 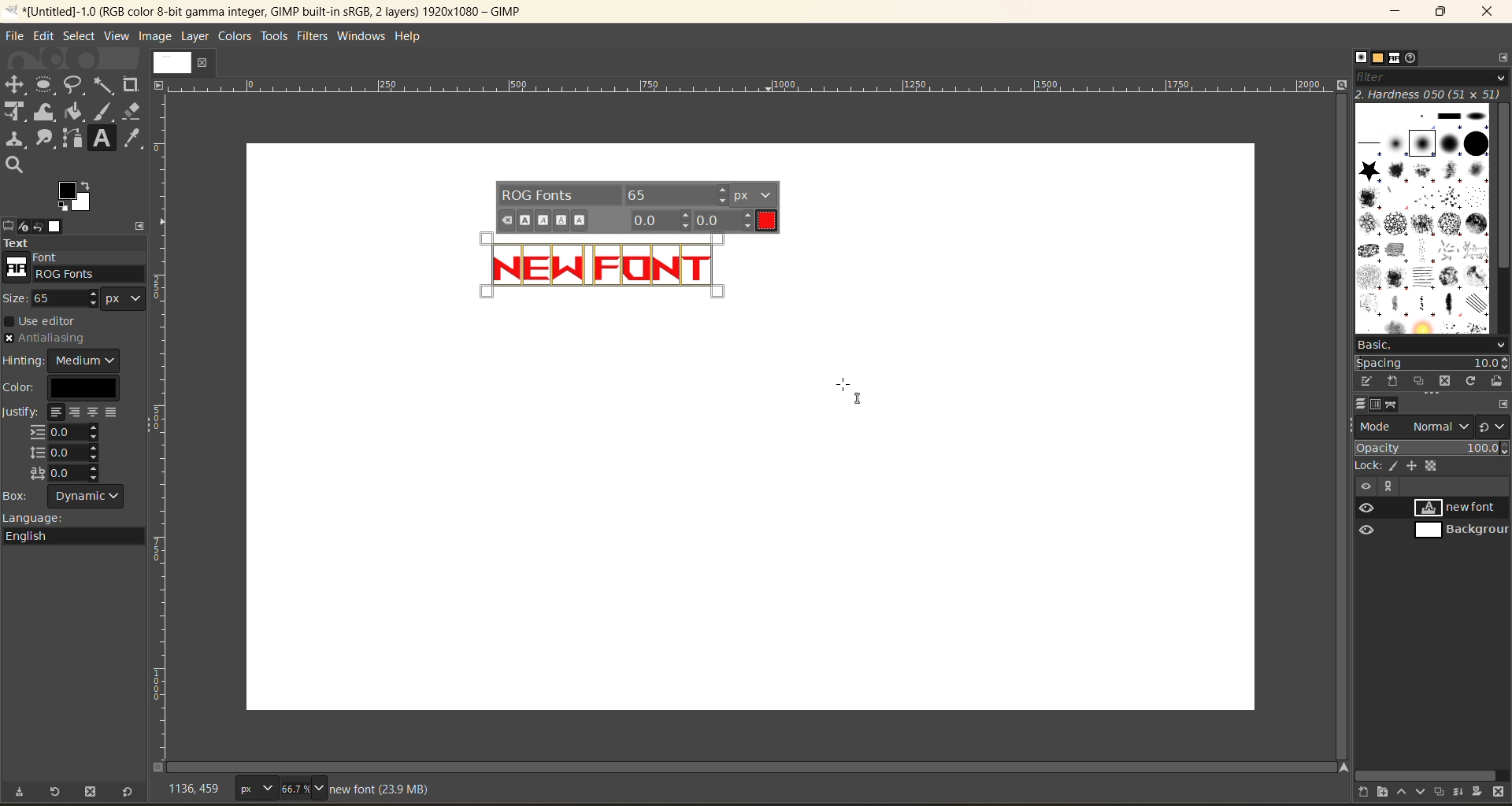 What do you see at coordinates (1362, 401) in the screenshot?
I see `layers` at bounding box center [1362, 401].